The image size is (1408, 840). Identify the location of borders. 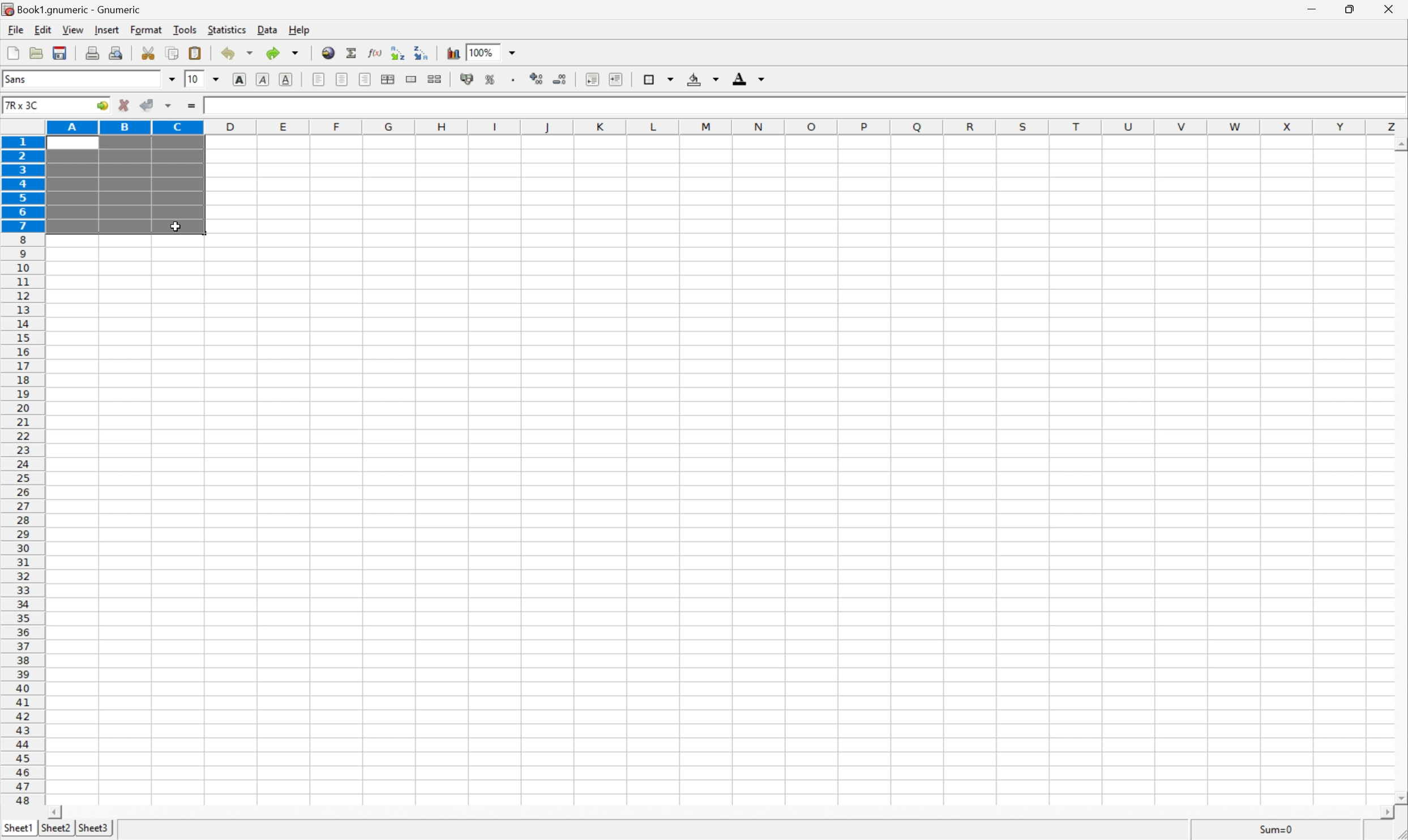
(657, 78).